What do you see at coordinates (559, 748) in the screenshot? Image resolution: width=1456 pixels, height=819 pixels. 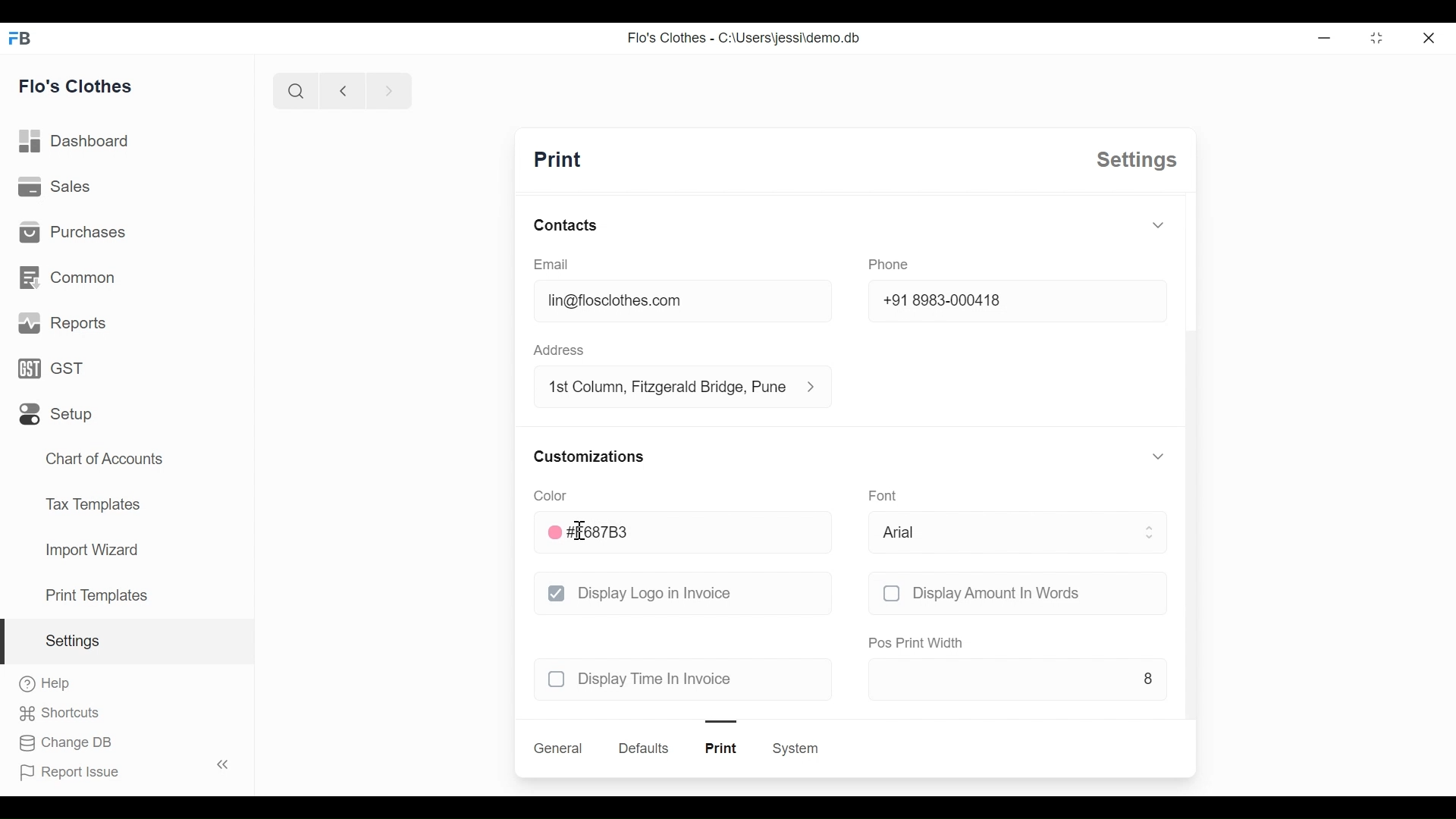 I see `general` at bounding box center [559, 748].